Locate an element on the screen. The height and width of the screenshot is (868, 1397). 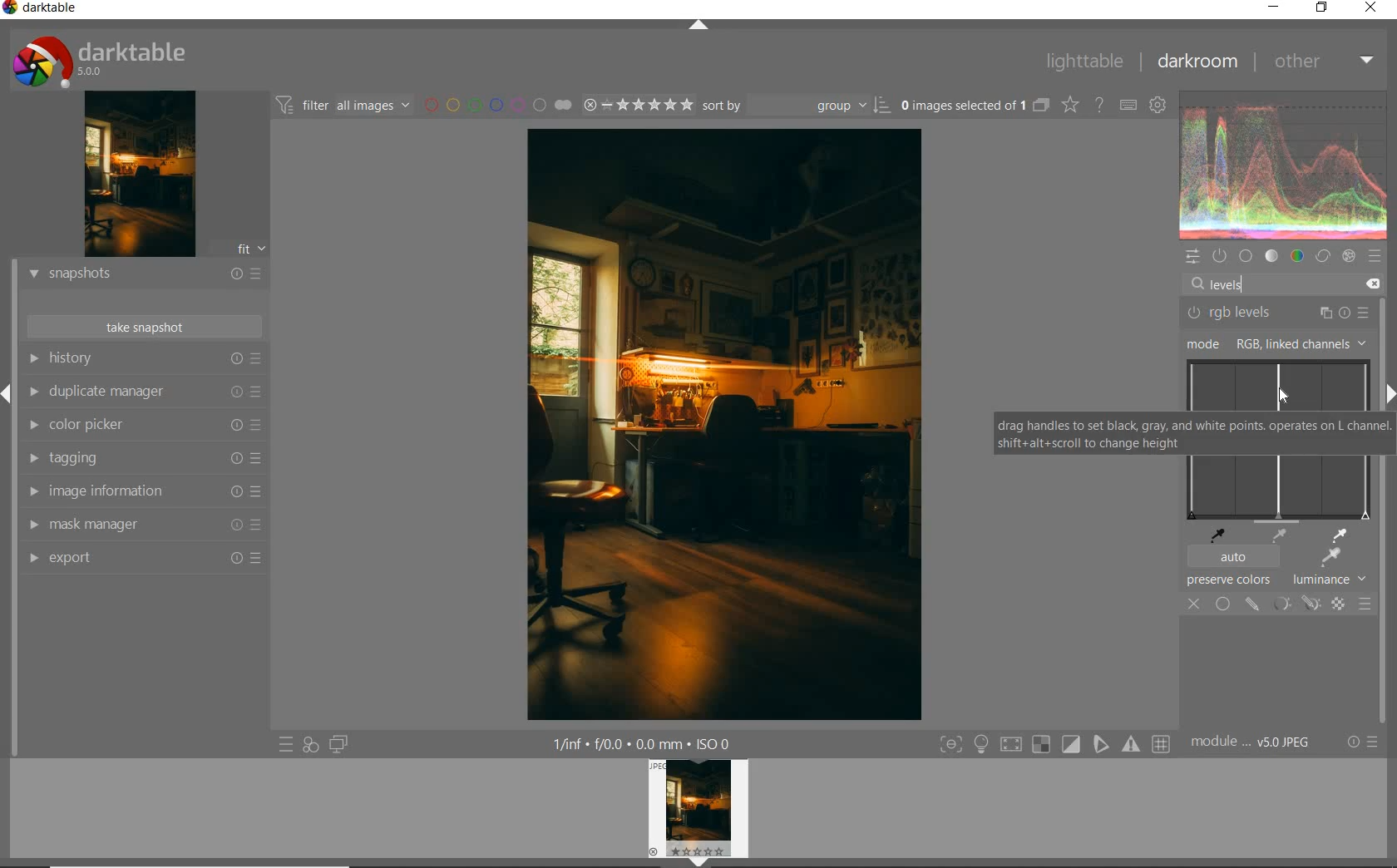
enable online help is located at coordinates (1098, 105).